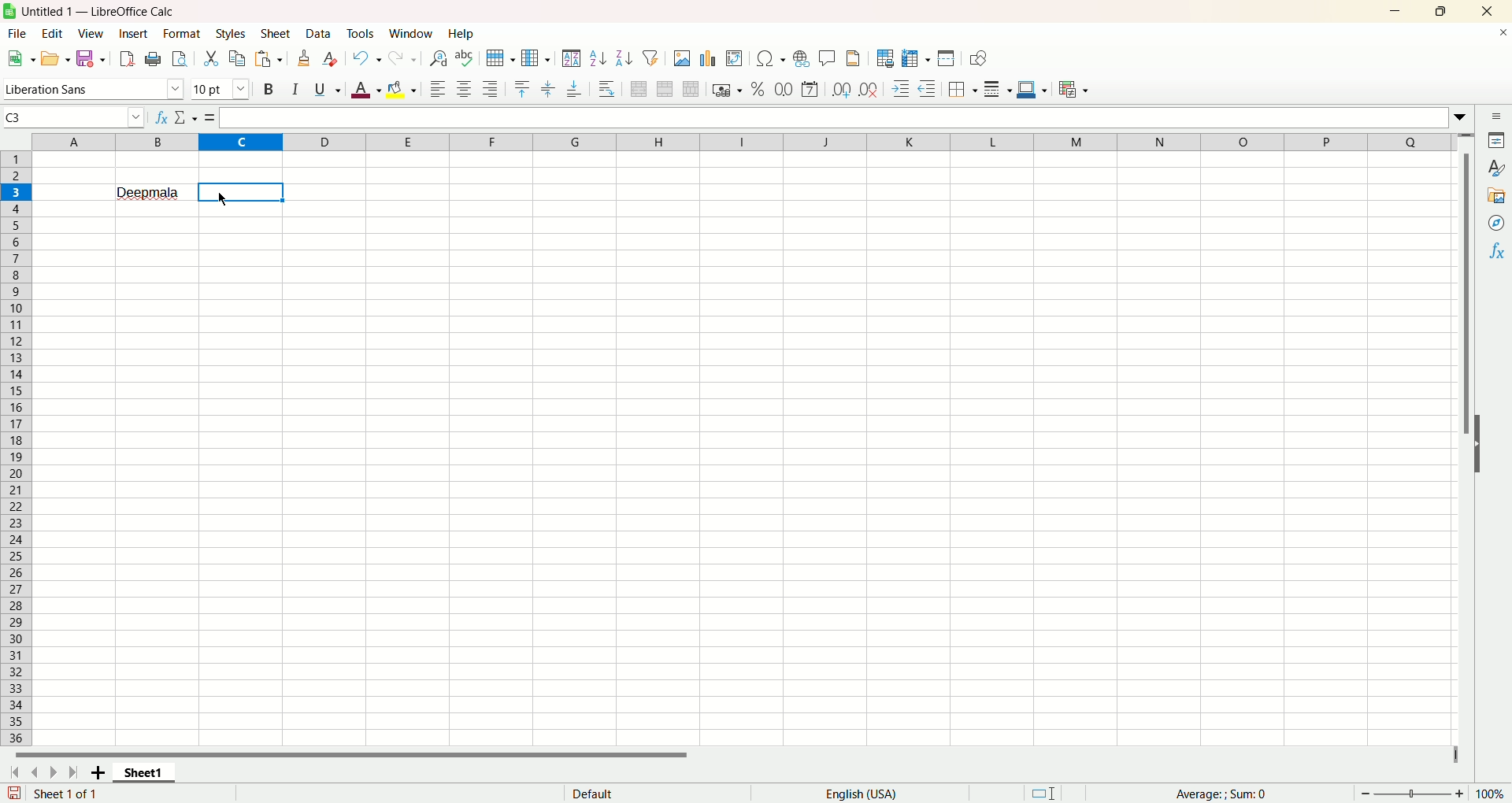 This screenshot has width=1512, height=803. I want to click on first sheet, so click(13, 775).